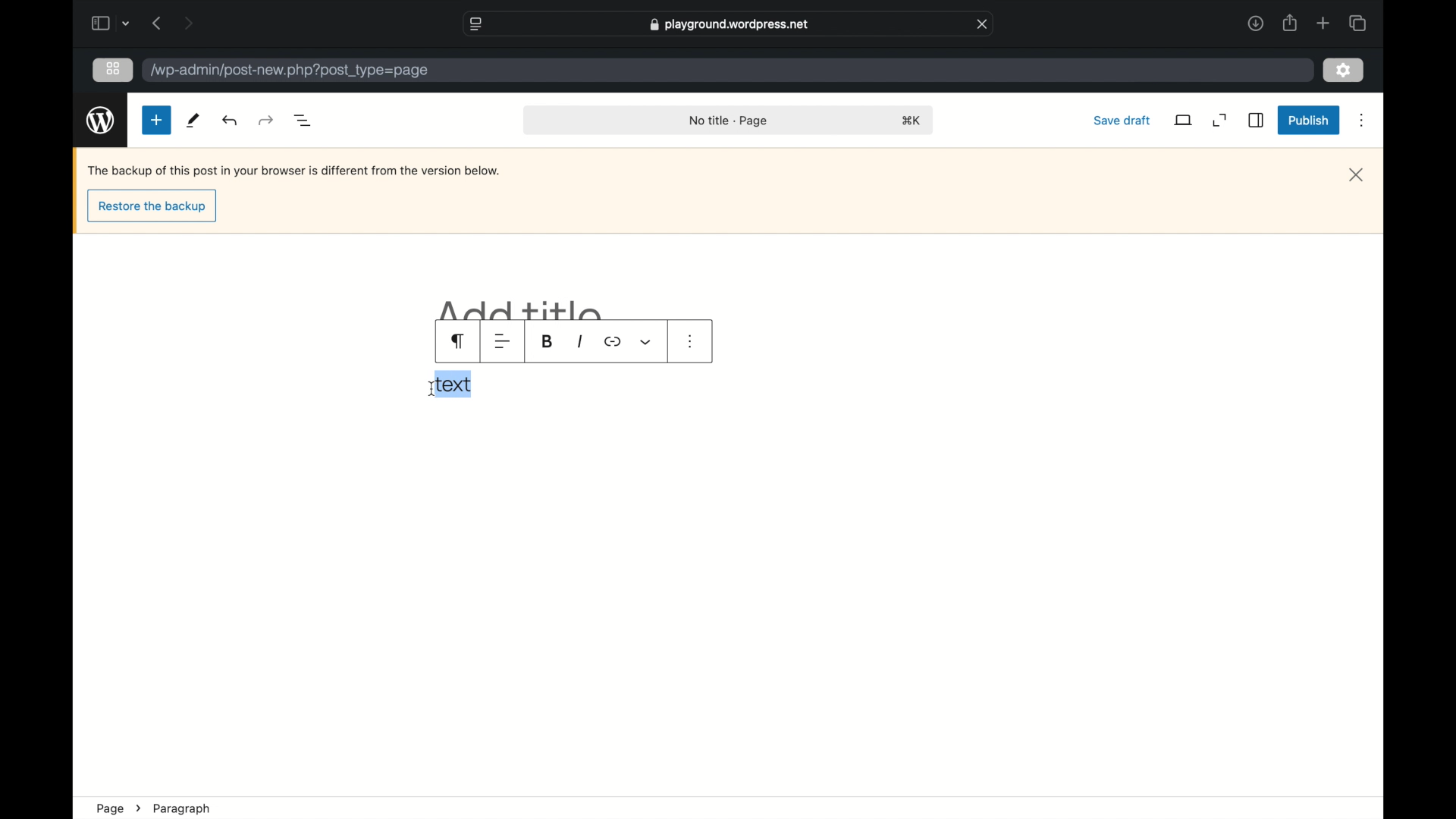 The height and width of the screenshot is (819, 1456). I want to click on italic, so click(579, 342).